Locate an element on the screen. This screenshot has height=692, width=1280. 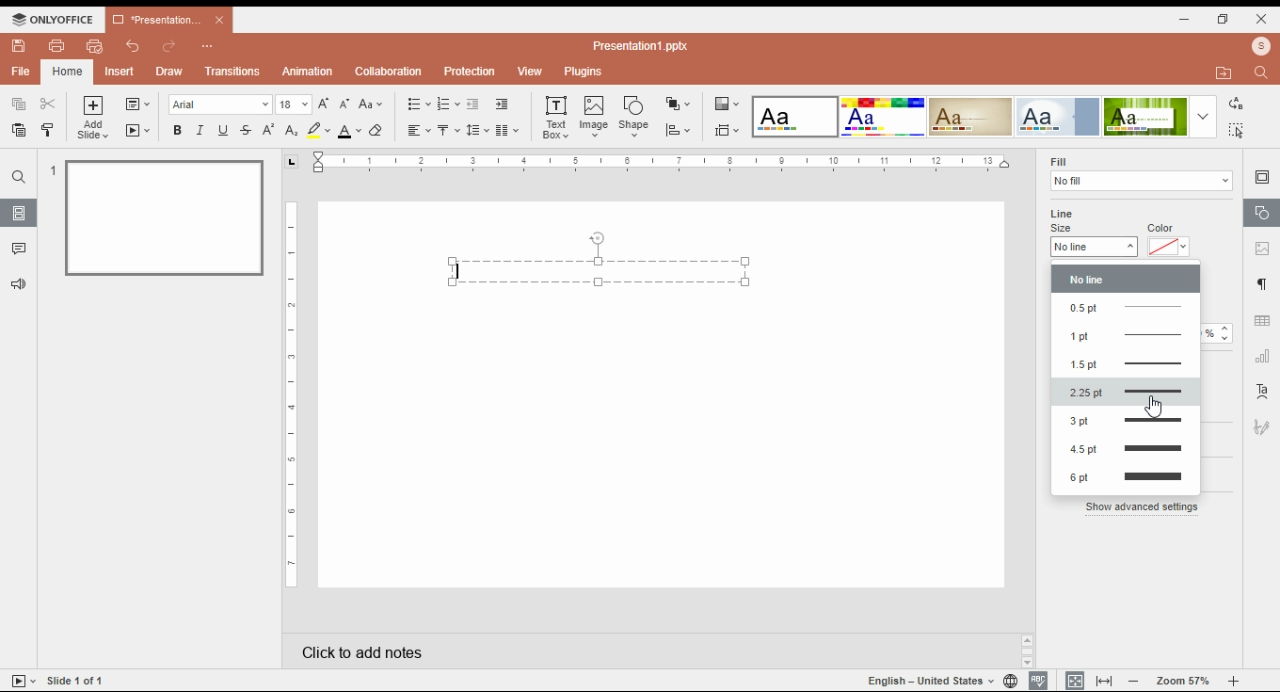
cut is located at coordinates (48, 103).